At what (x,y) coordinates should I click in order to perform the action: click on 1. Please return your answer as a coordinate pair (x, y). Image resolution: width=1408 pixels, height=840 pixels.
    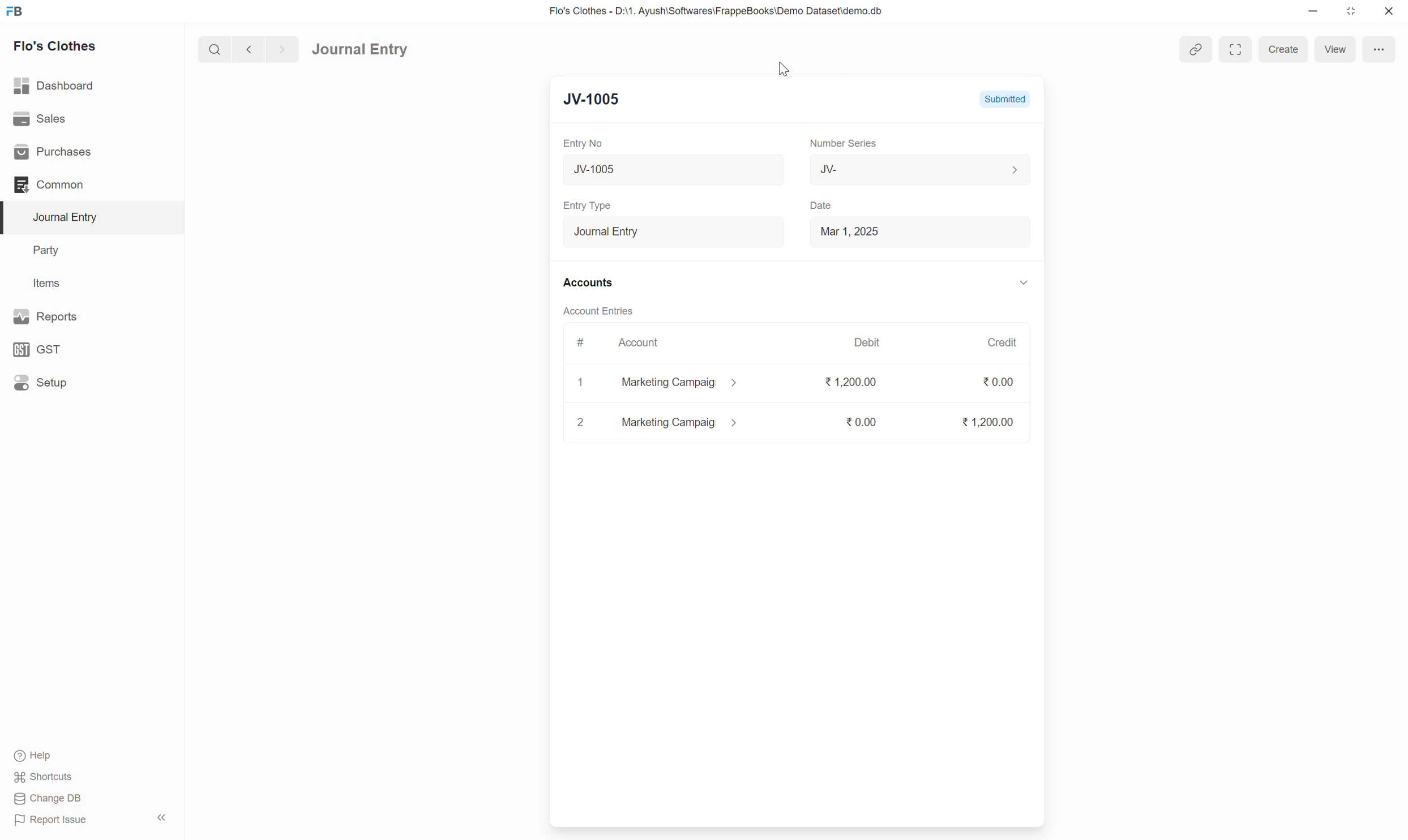
    Looking at the image, I should click on (582, 383).